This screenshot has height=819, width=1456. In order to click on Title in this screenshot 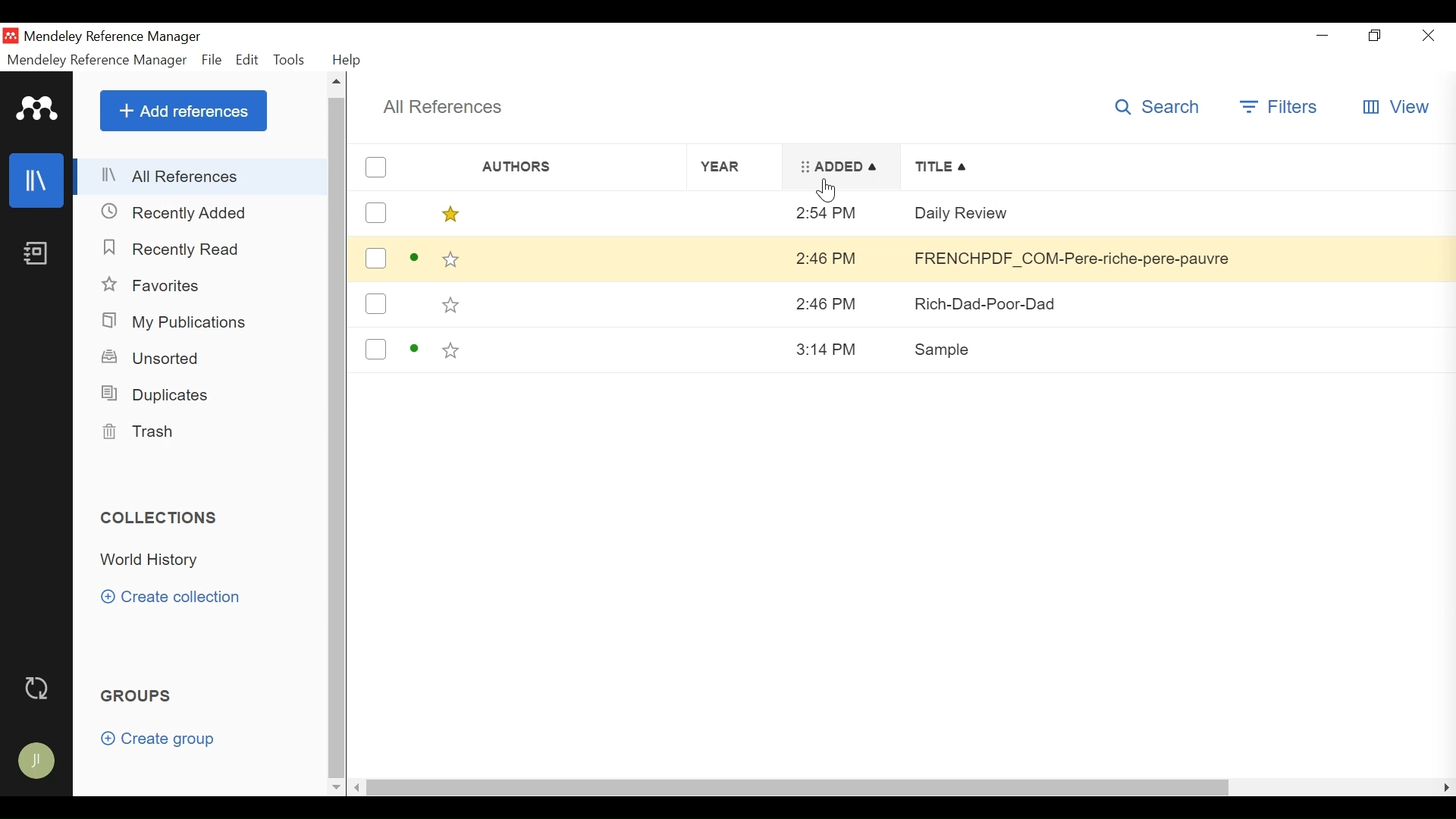, I will do `click(1173, 166)`.